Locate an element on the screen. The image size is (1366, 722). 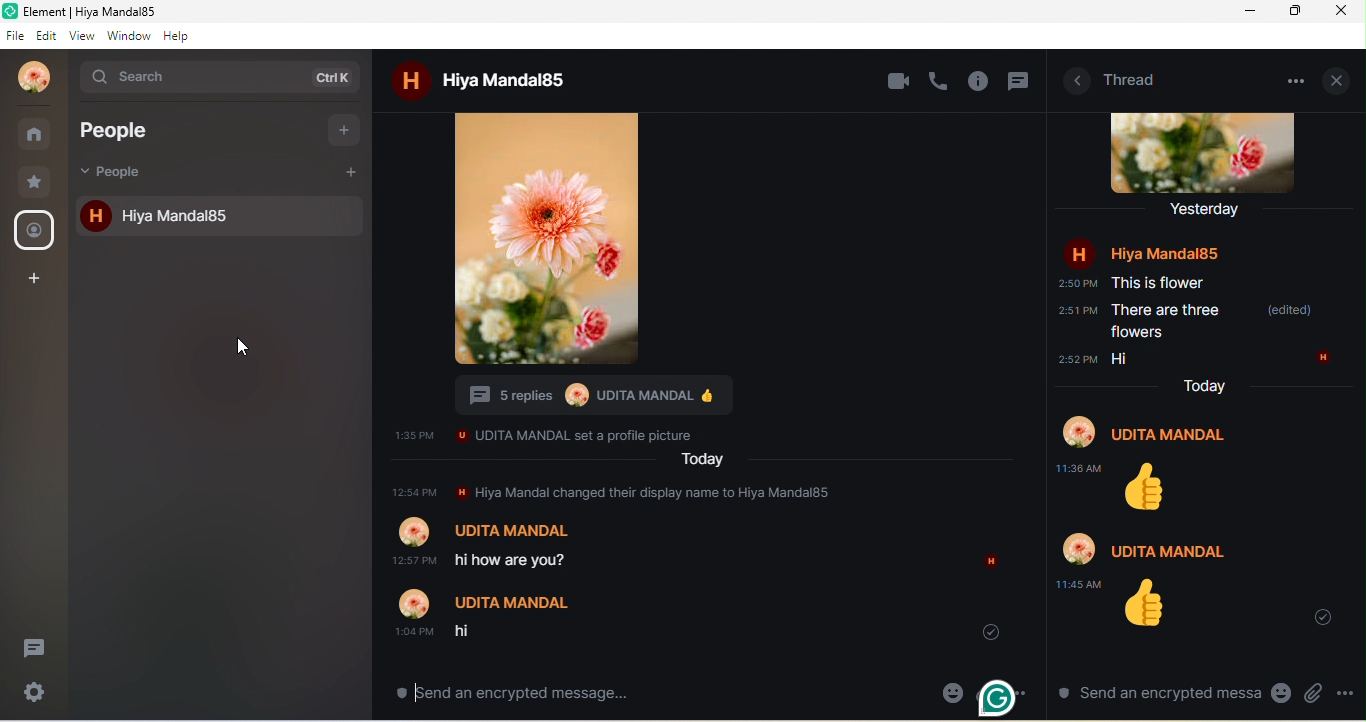
(edited) is located at coordinates (1287, 310).